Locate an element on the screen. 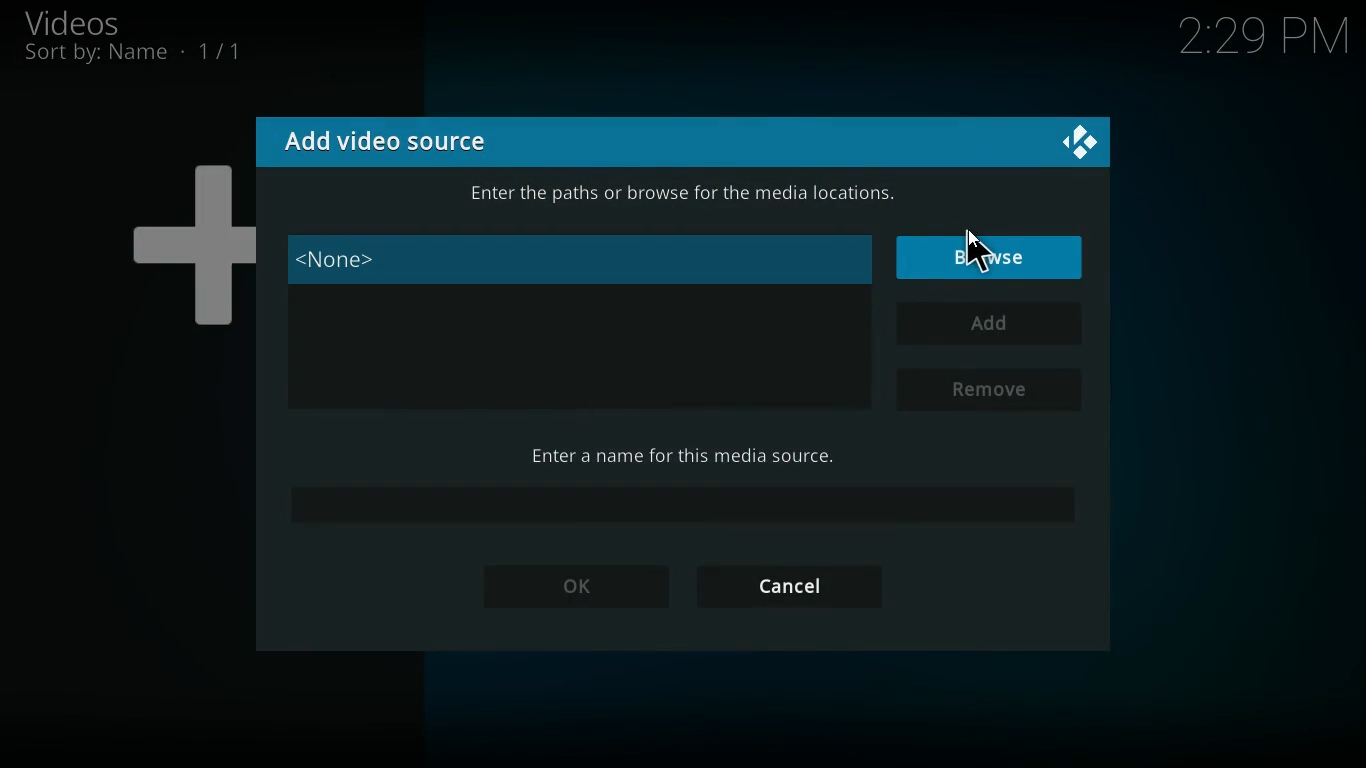 This screenshot has height=768, width=1366. browse is located at coordinates (992, 254).